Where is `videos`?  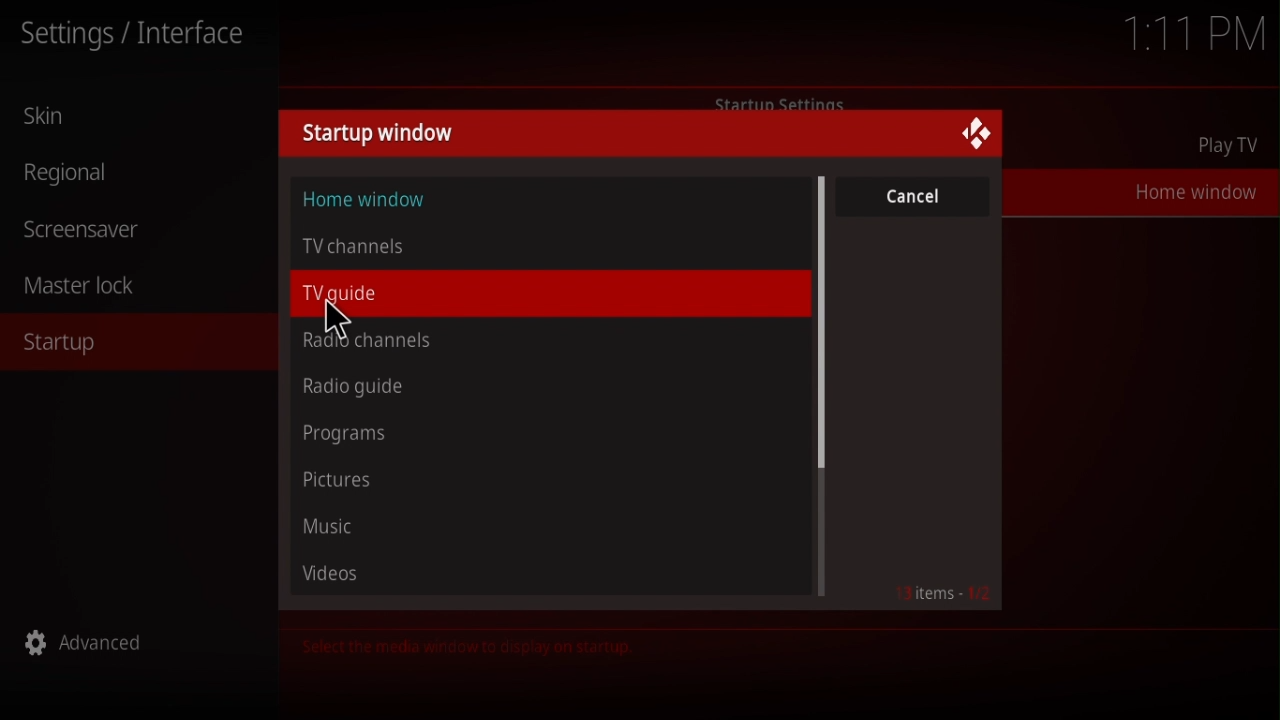 videos is located at coordinates (336, 573).